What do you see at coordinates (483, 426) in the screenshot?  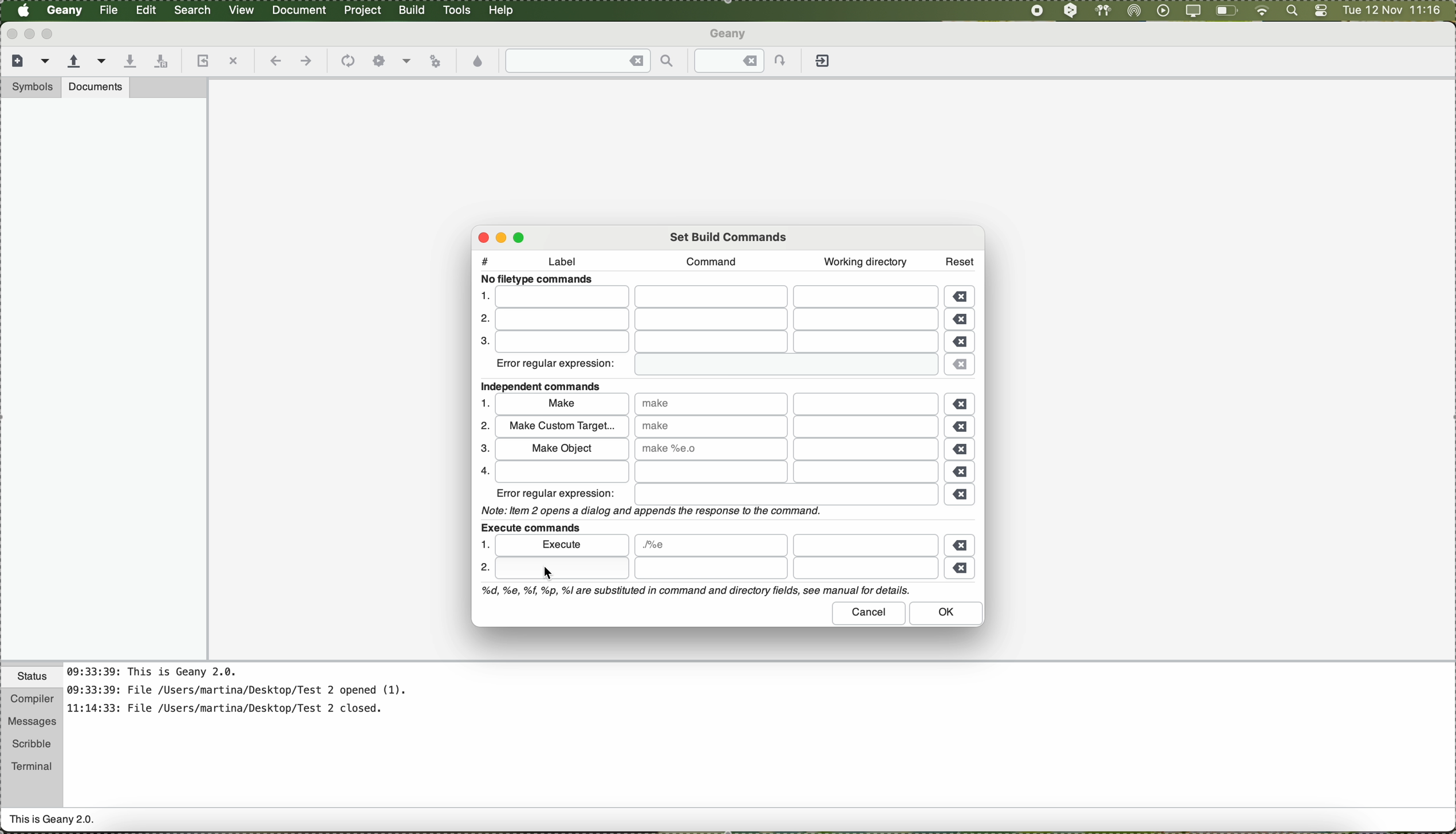 I see `2` at bounding box center [483, 426].